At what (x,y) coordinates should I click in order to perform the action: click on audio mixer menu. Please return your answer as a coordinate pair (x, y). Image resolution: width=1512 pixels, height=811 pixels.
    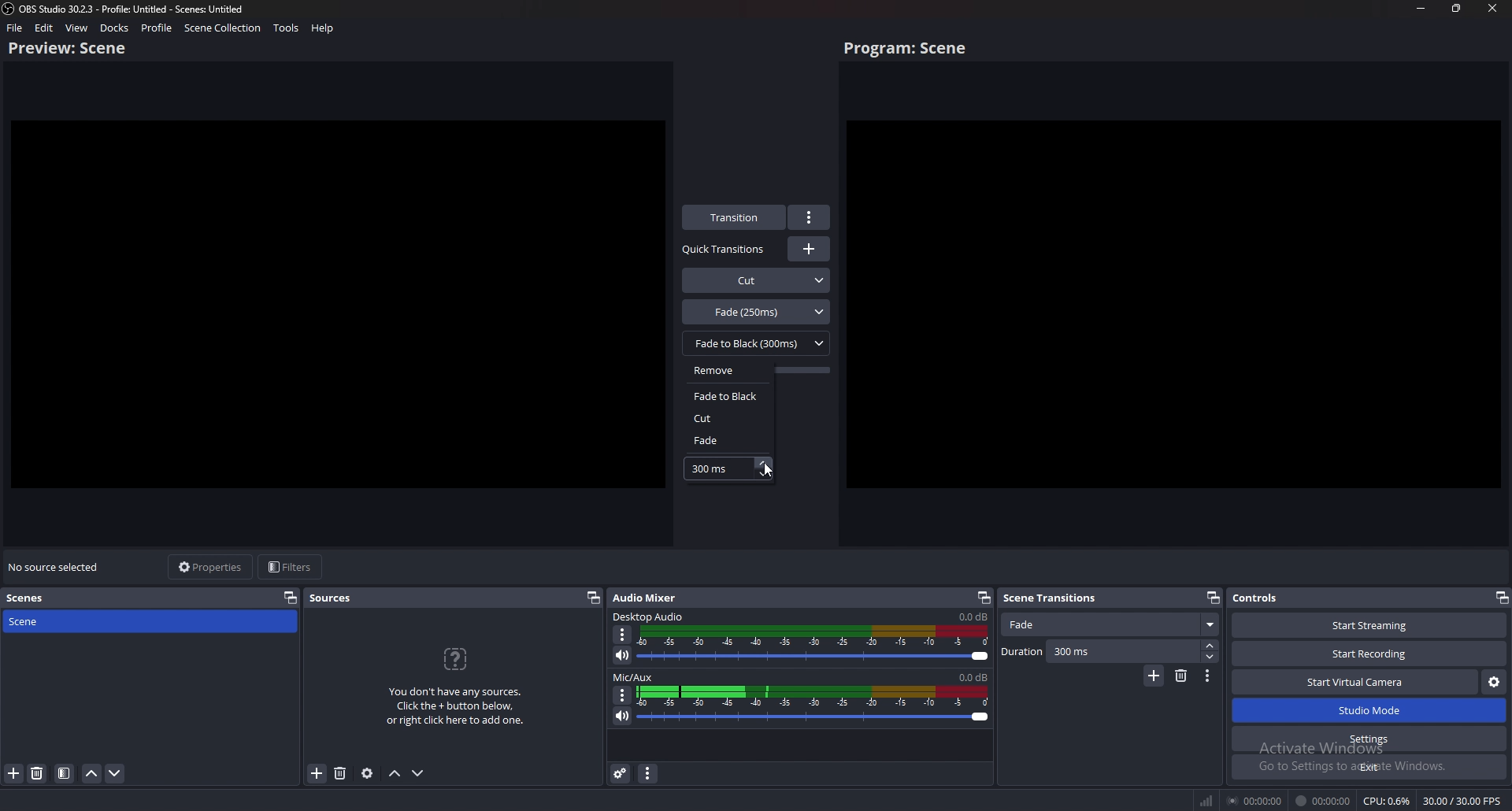
    Looking at the image, I should click on (649, 774).